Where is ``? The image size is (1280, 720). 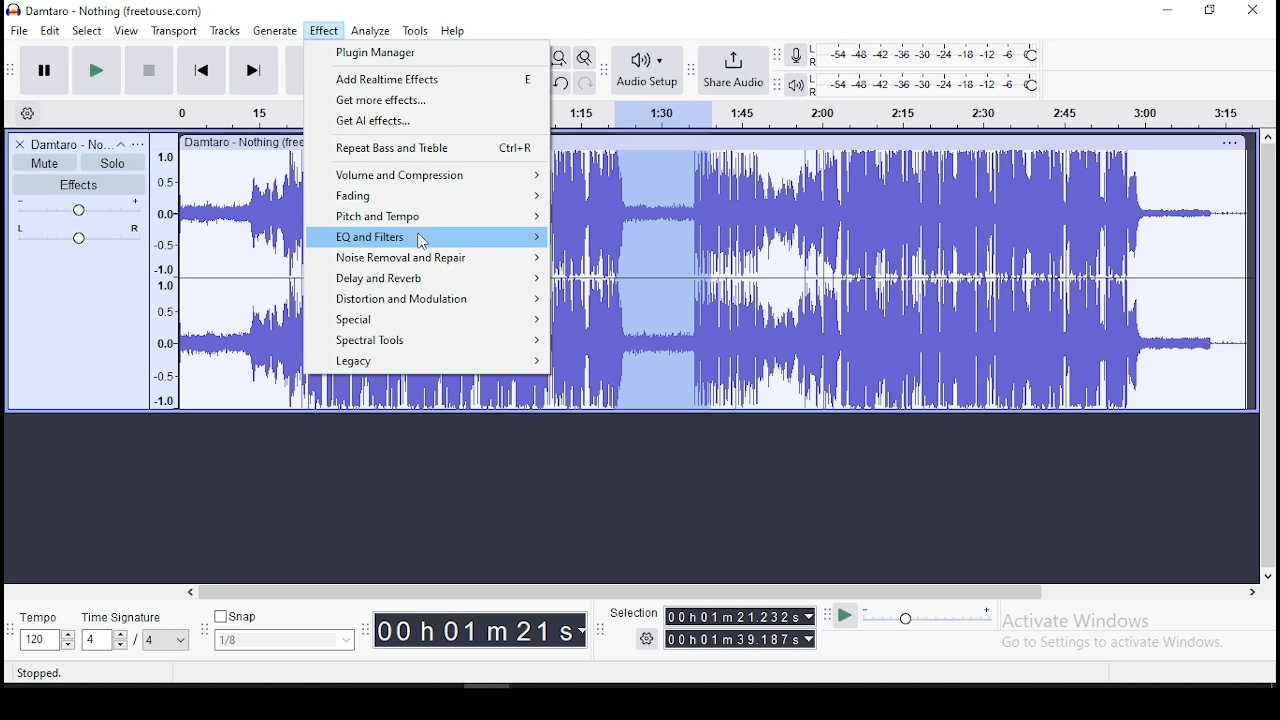
 is located at coordinates (775, 53).